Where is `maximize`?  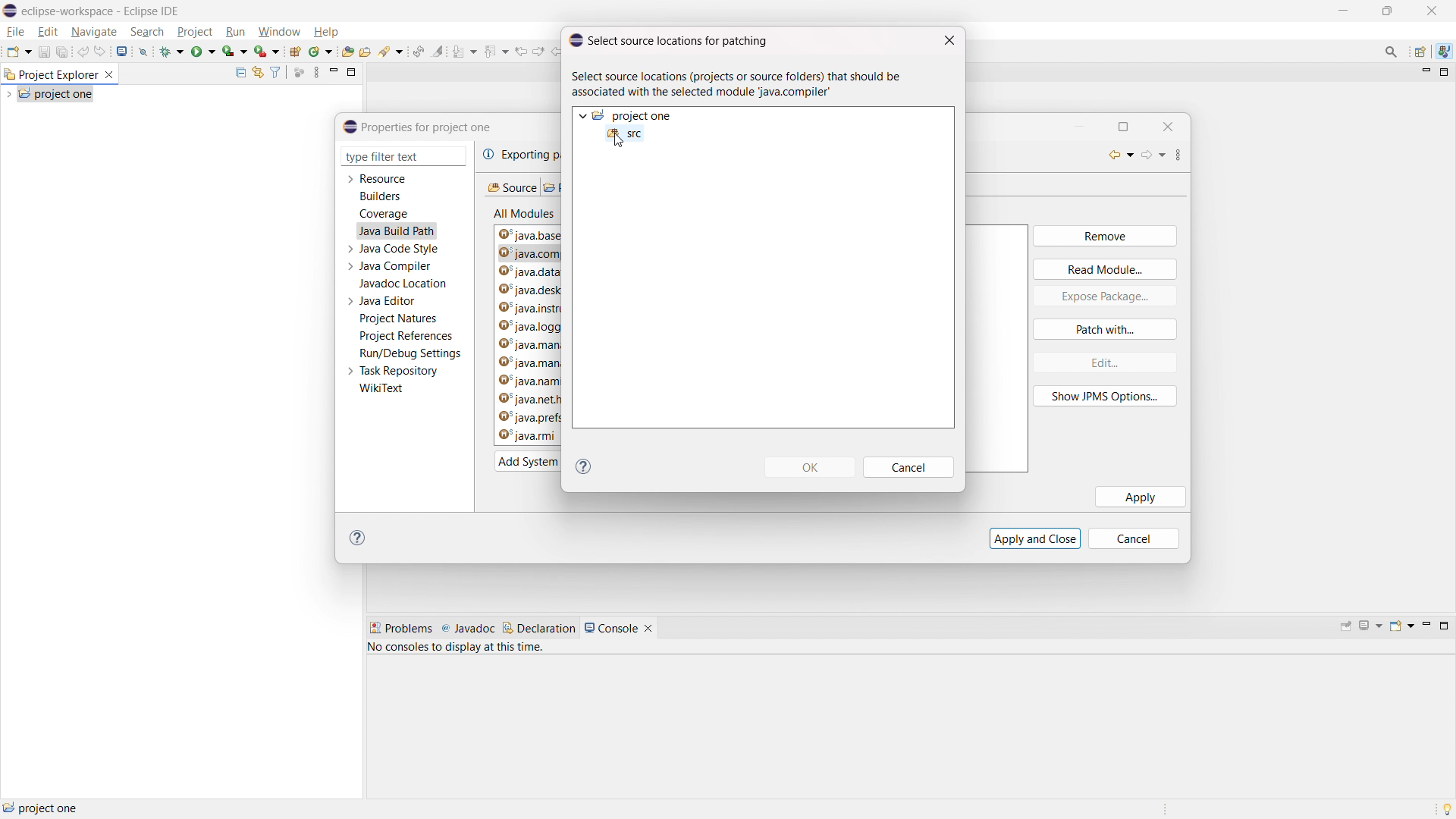 maximize is located at coordinates (1444, 626).